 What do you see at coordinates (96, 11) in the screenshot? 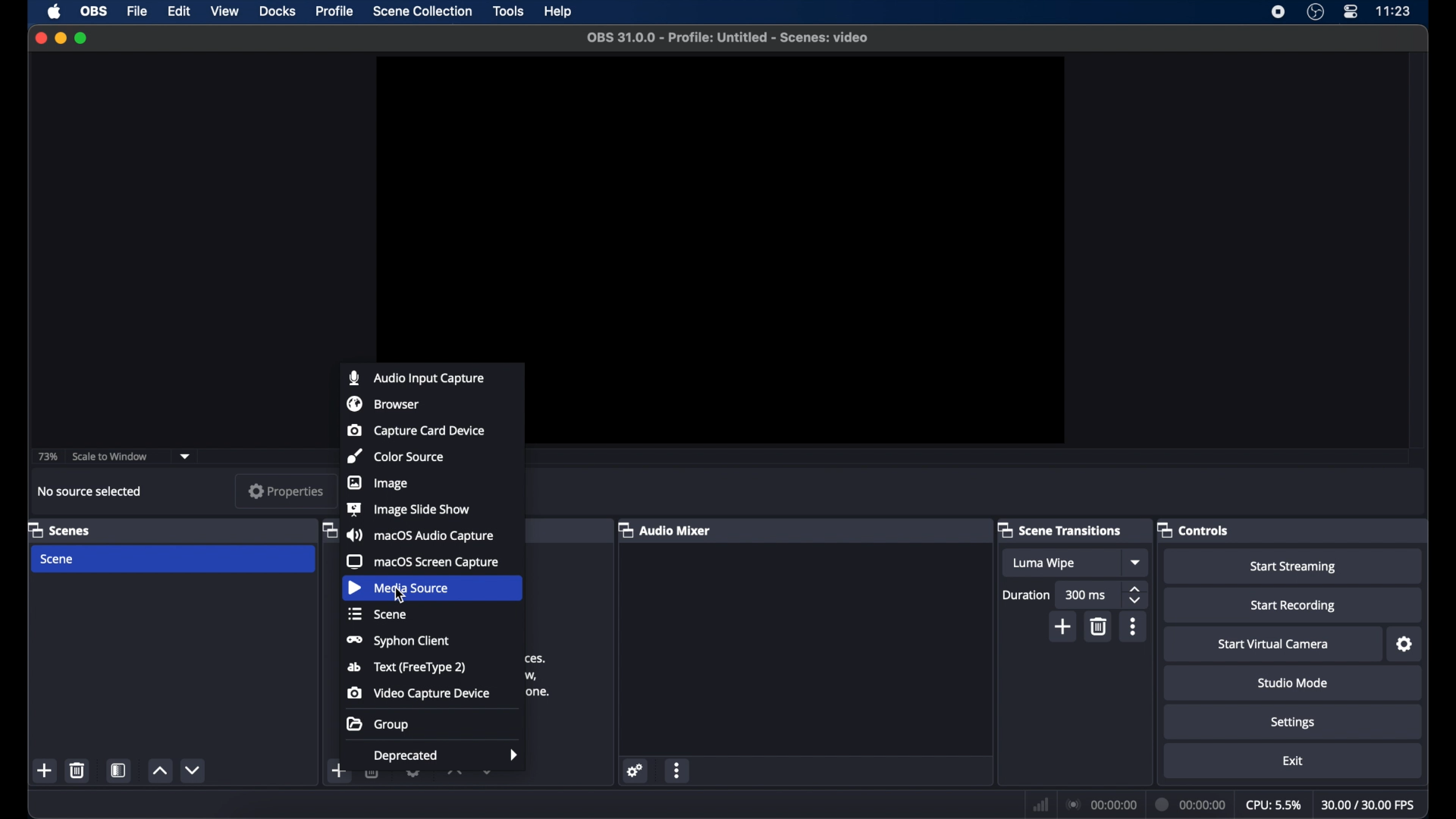
I see `obs` at bounding box center [96, 11].